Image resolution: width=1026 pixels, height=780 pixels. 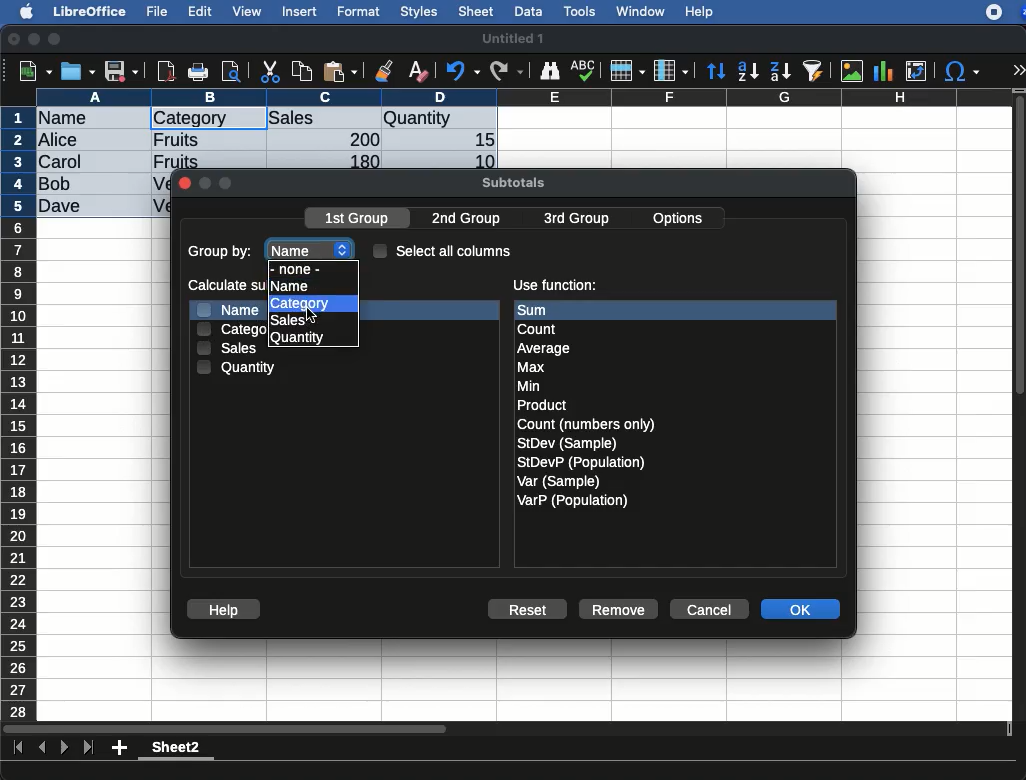 I want to click on SitDev (Sample), so click(x=568, y=443).